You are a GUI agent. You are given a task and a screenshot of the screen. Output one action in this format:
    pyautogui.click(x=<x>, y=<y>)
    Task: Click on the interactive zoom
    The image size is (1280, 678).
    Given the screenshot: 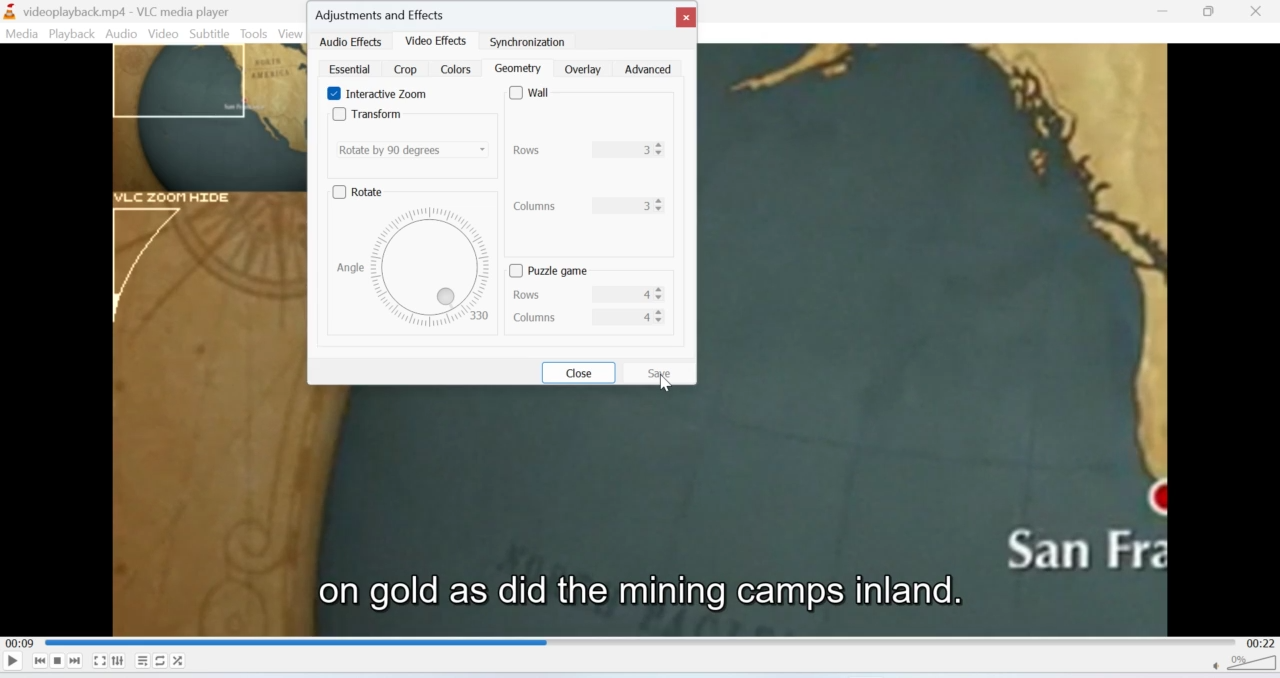 What is the action you would take?
    pyautogui.click(x=404, y=92)
    